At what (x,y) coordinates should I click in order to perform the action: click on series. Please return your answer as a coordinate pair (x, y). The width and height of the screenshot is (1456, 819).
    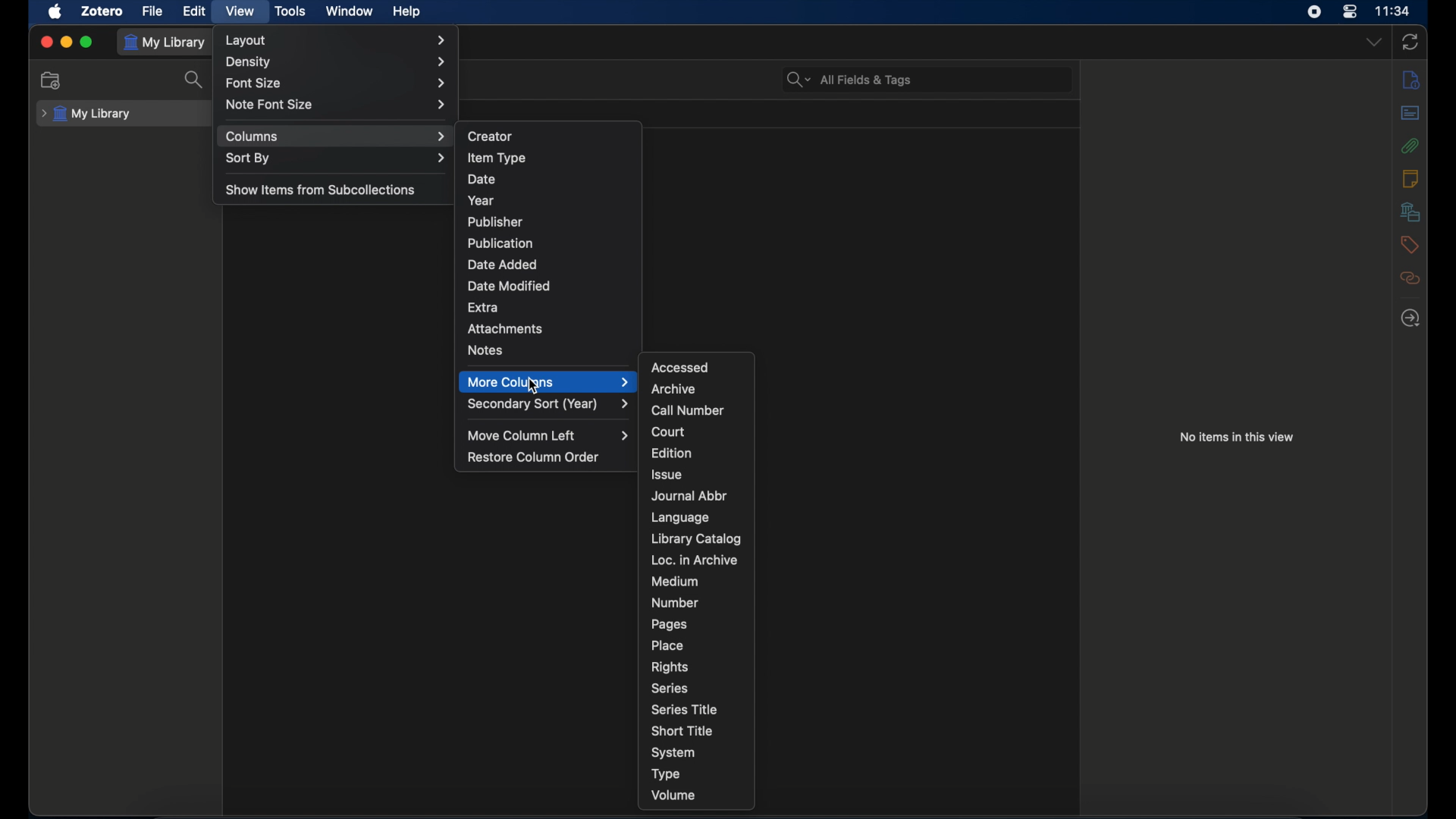
    Looking at the image, I should click on (670, 688).